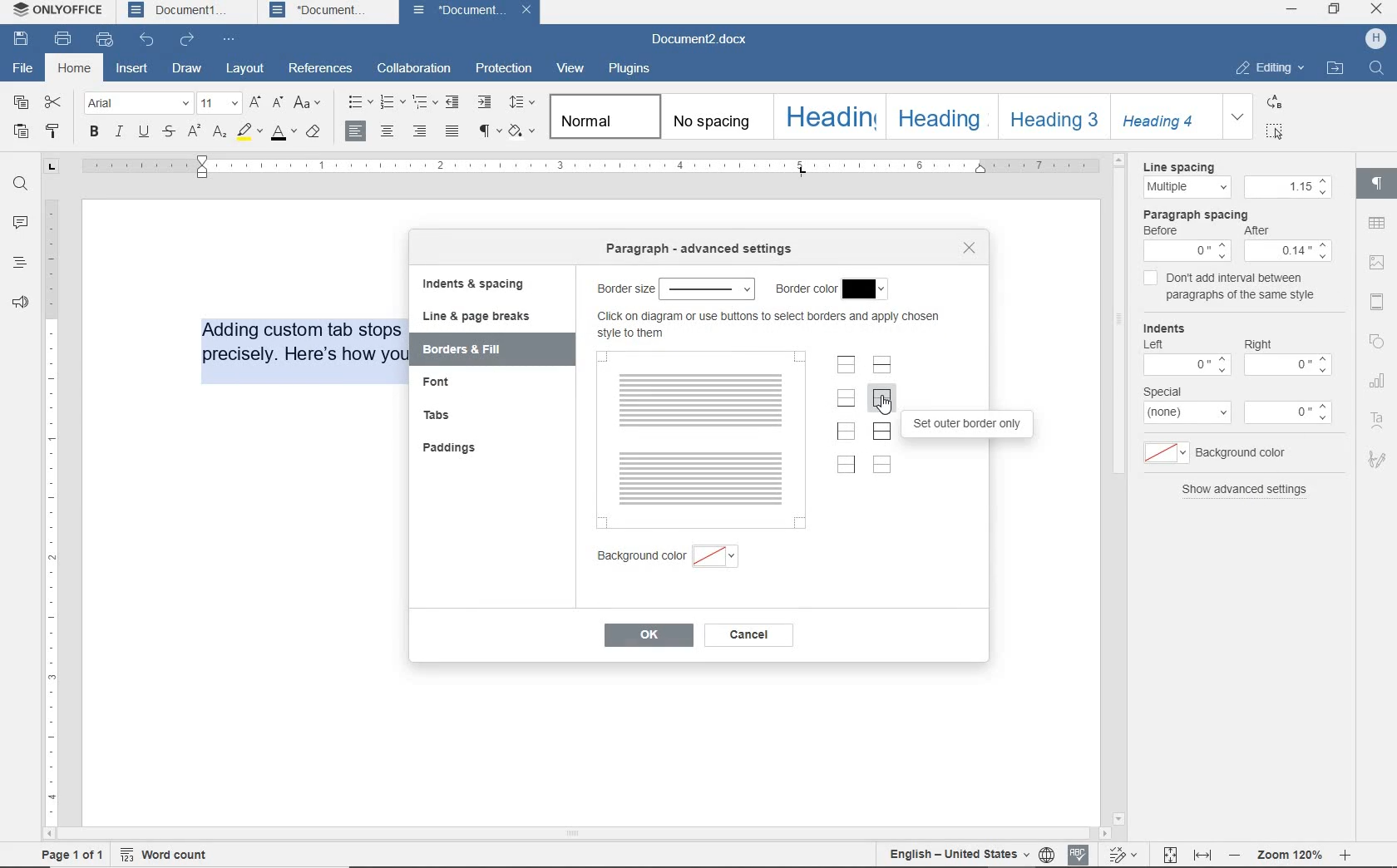 Image resolution: width=1397 pixels, height=868 pixels. What do you see at coordinates (1286, 367) in the screenshot?
I see `menu` at bounding box center [1286, 367].